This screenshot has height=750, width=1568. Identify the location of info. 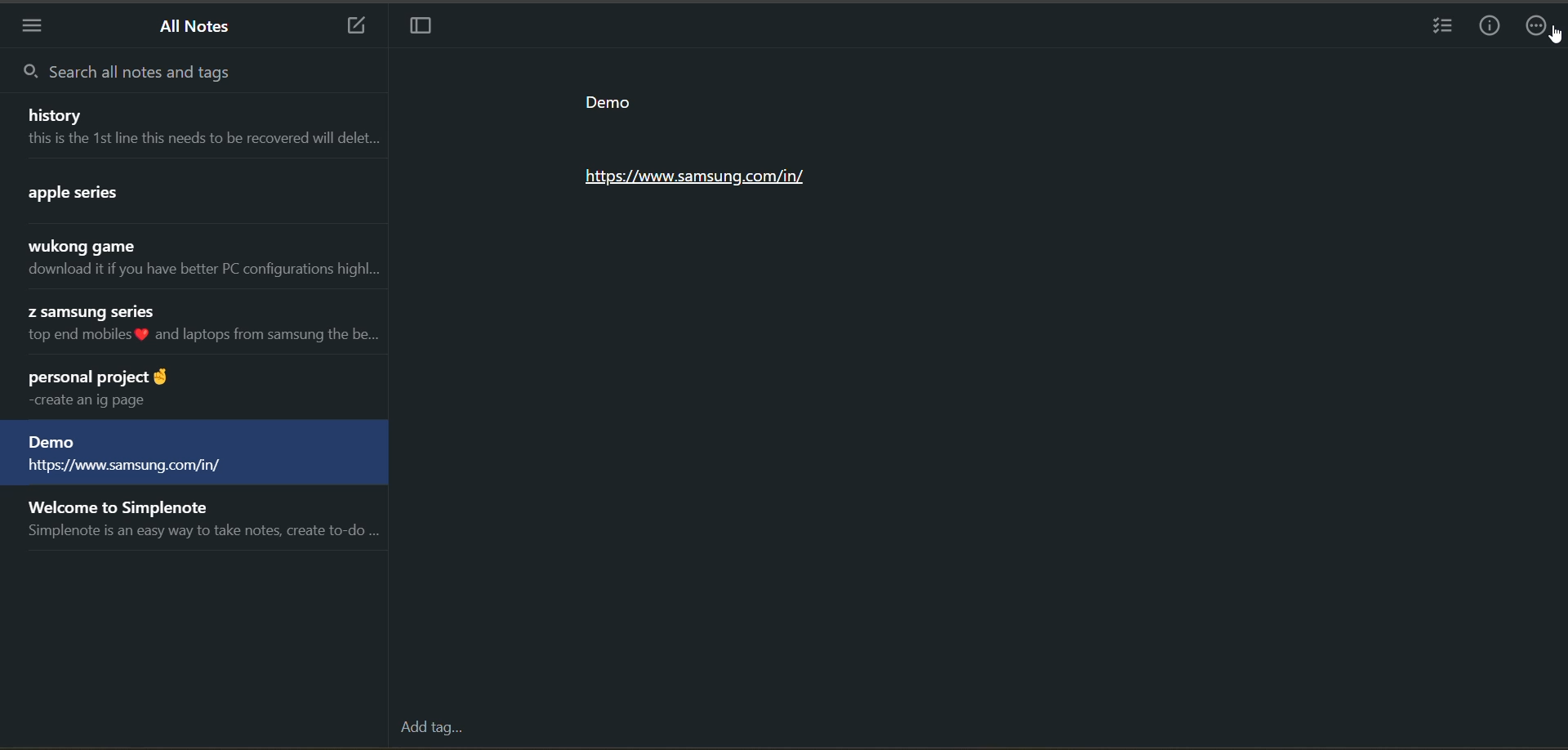
(1493, 25).